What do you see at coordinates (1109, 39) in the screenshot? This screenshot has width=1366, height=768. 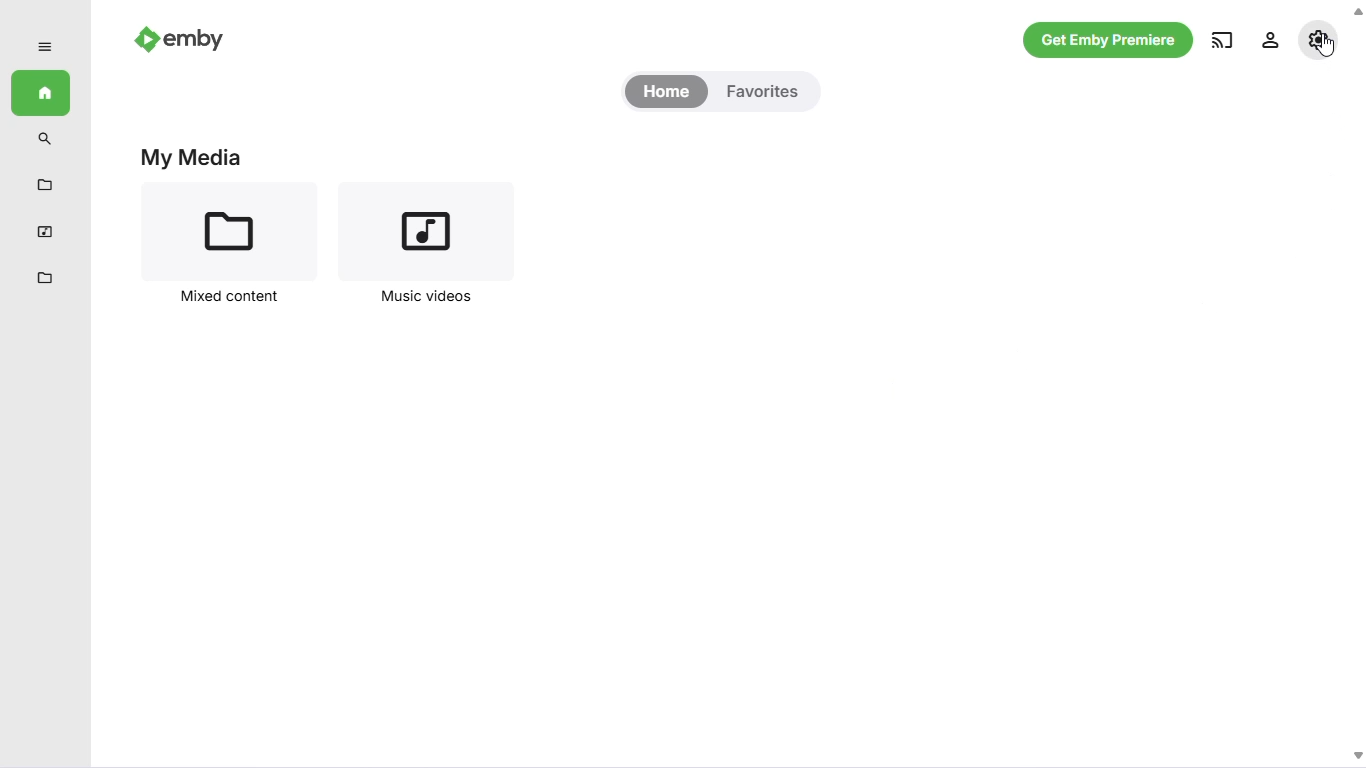 I see `get emby premiere` at bounding box center [1109, 39].